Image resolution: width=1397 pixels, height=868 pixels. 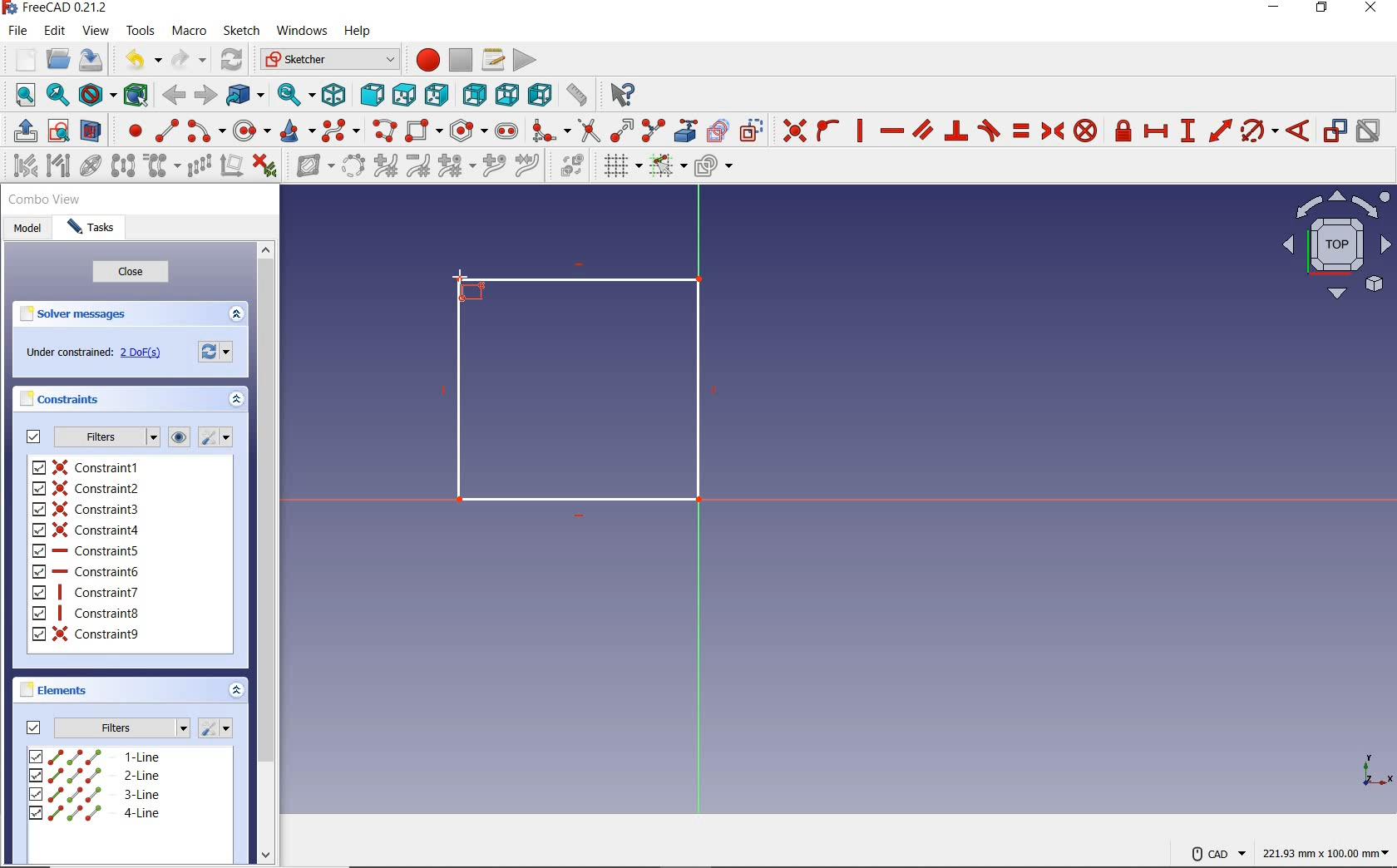 I want to click on leave sketch, so click(x=22, y=131).